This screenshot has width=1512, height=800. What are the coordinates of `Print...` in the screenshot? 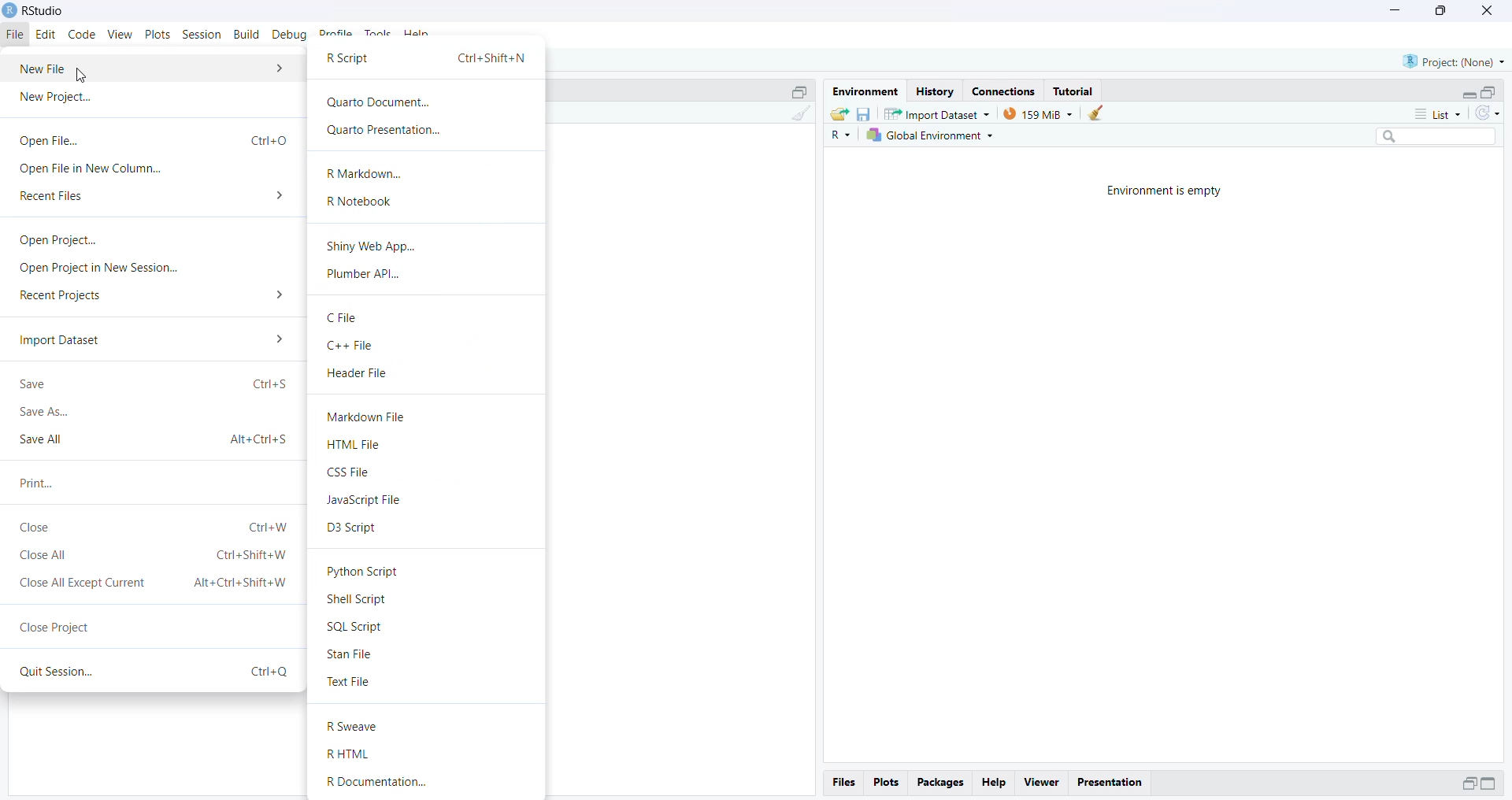 It's located at (37, 483).